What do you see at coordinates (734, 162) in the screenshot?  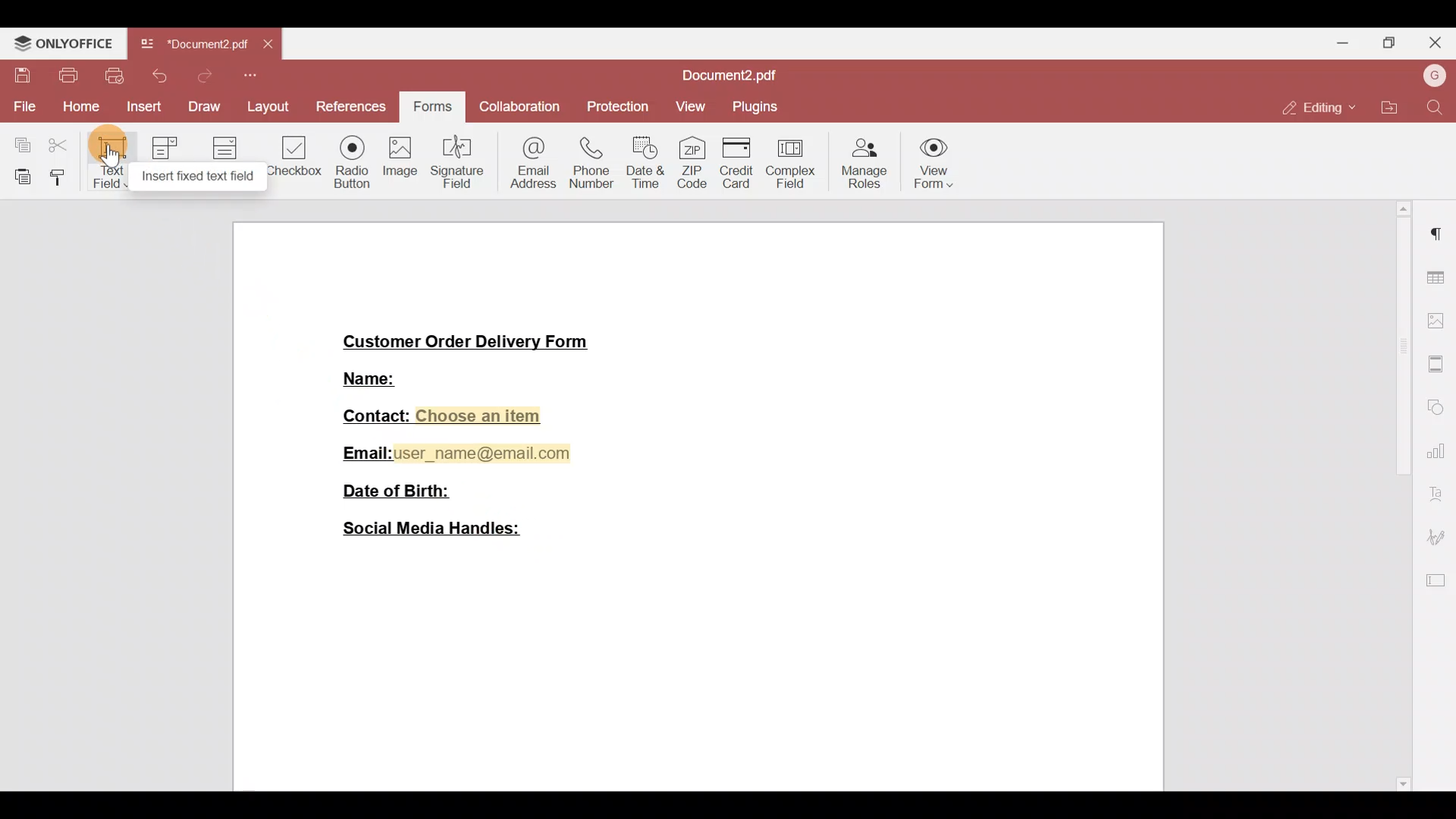 I see `Credit card` at bounding box center [734, 162].